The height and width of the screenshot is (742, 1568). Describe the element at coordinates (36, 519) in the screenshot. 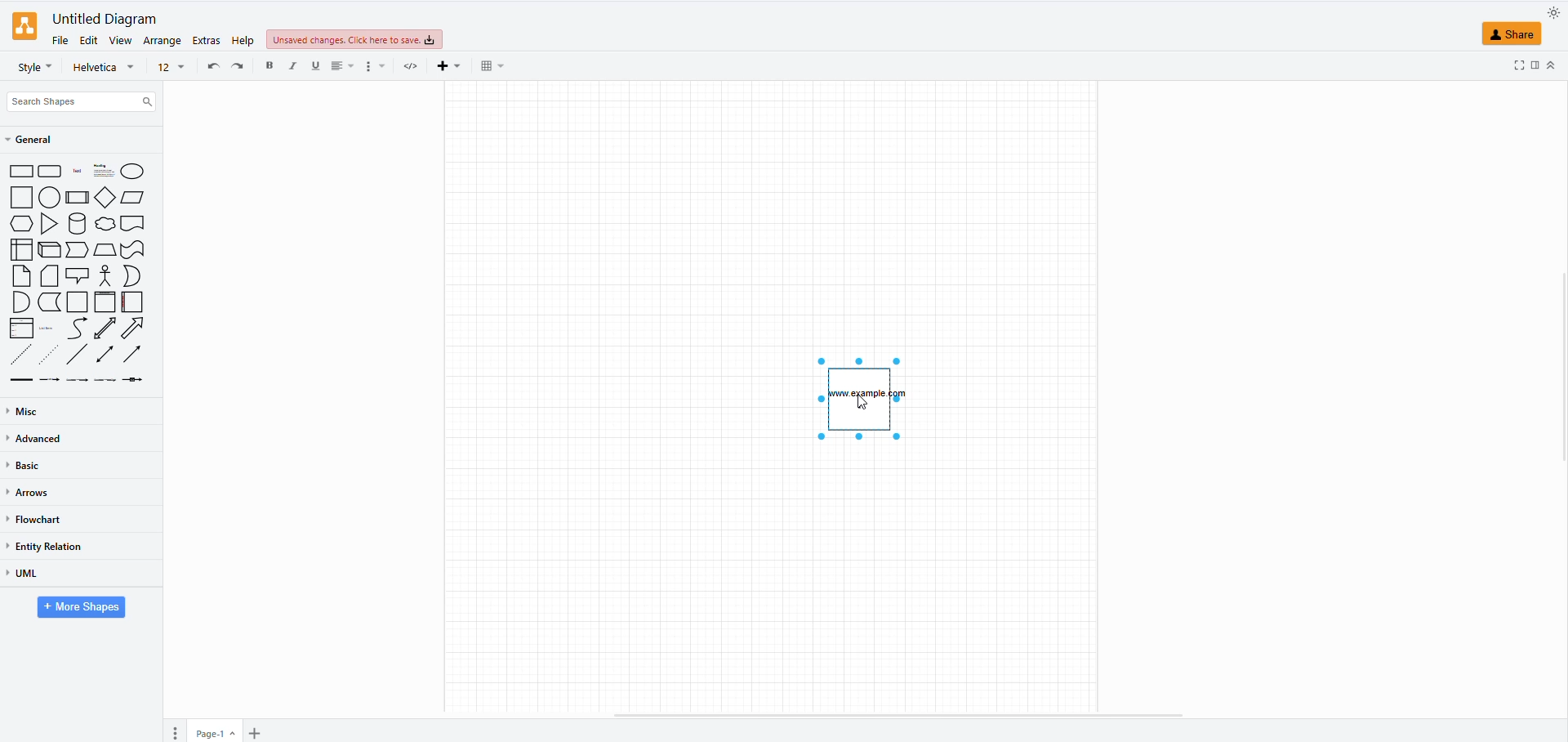

I see `flowchart` at that location.